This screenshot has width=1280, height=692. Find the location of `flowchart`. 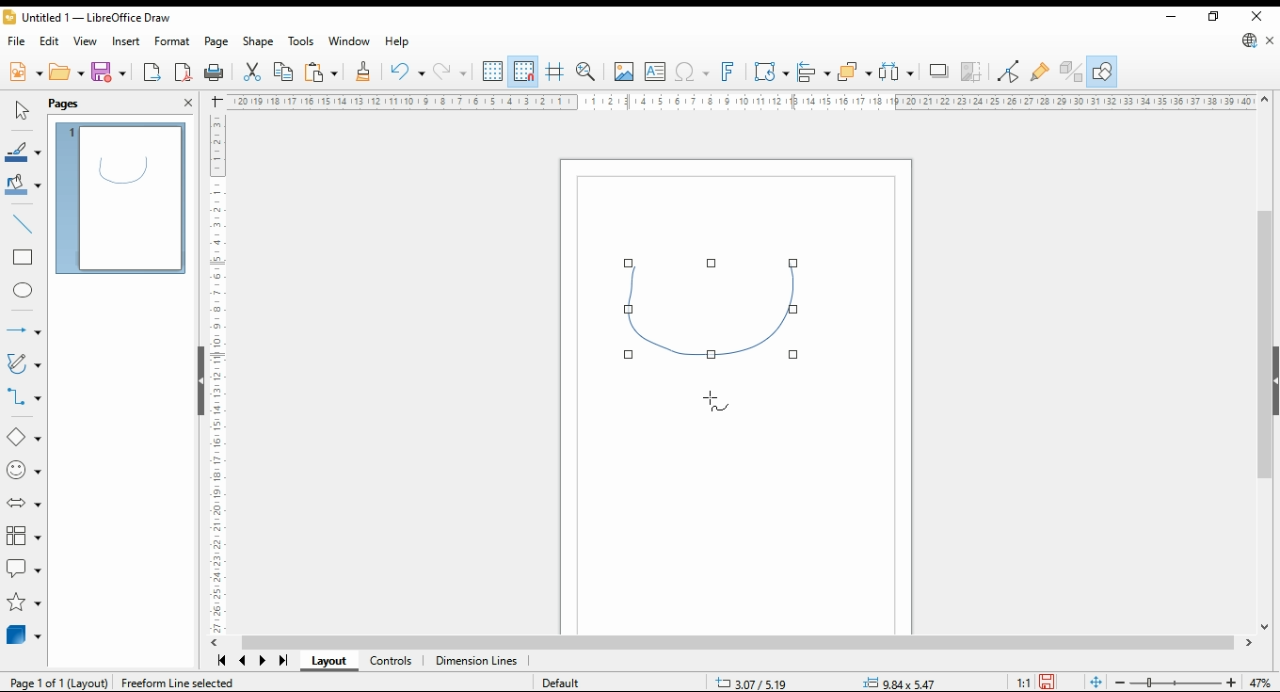

flowchart is located at coordinates (22, 535).